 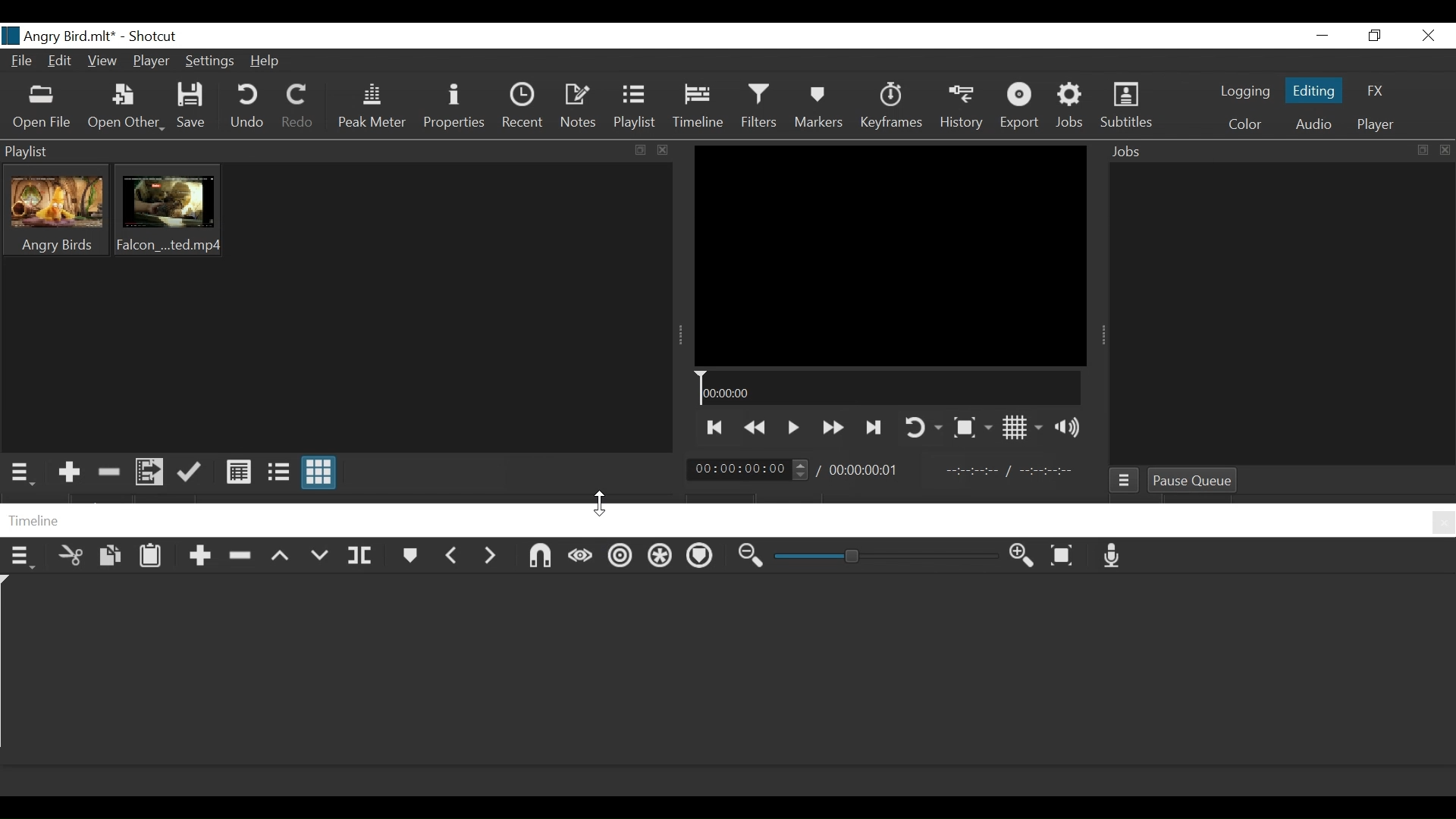 What do you see at coordinates (541, 558) in the screenshot?
I see `Snap` at bounding box center [541, 558].